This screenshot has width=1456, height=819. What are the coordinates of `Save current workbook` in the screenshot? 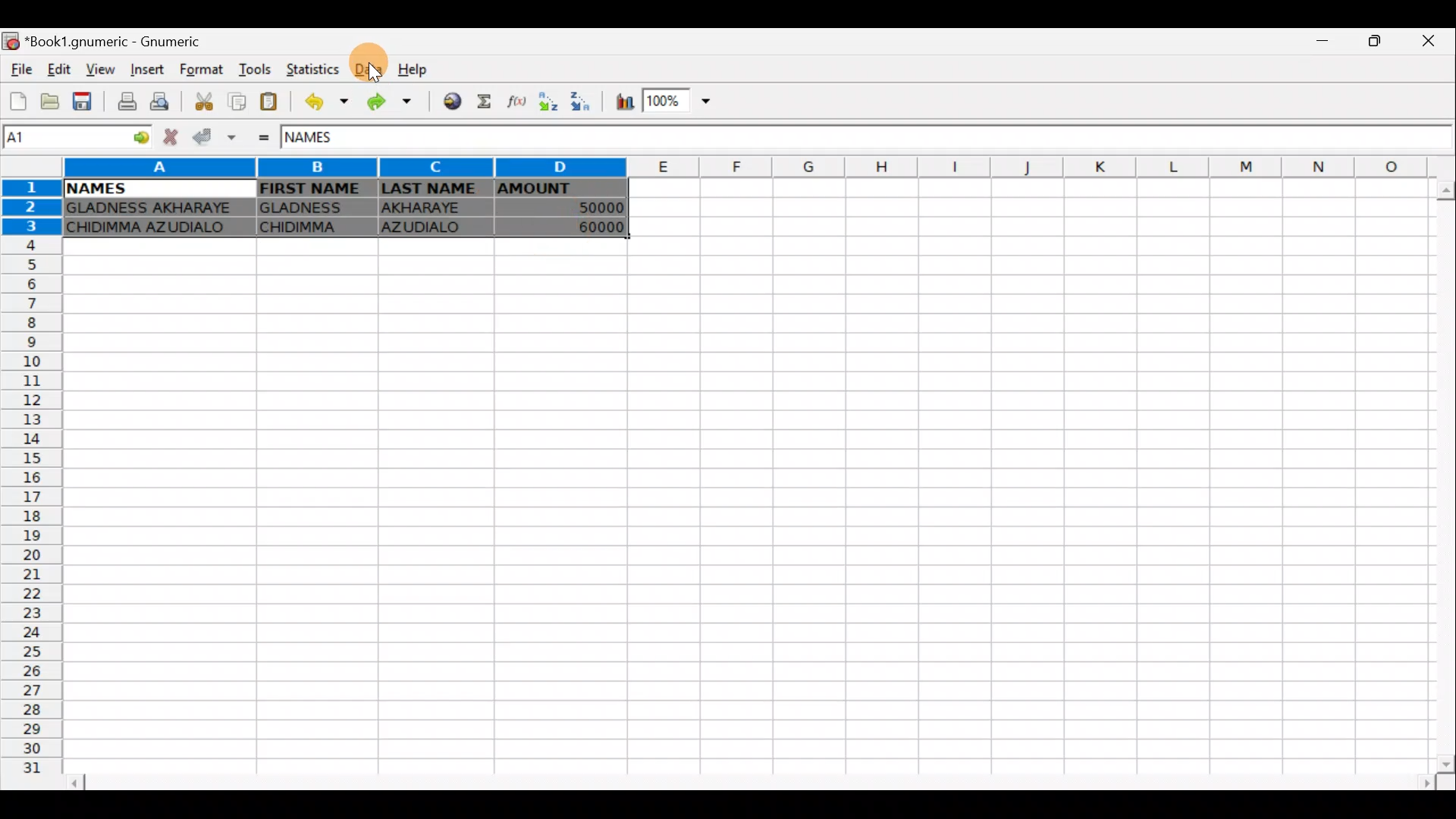 It's located at (85, 100).